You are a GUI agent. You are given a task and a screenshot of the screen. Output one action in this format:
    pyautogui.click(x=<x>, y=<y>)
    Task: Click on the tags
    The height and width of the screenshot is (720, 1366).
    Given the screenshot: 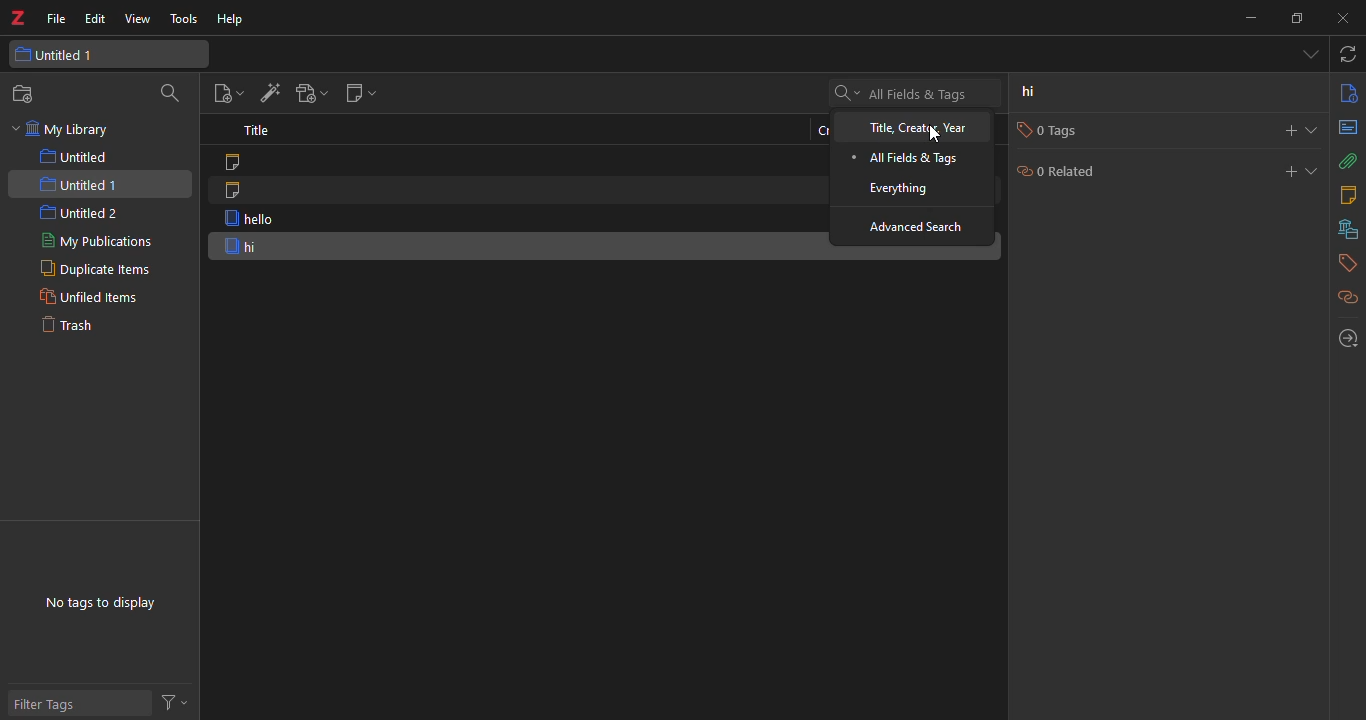 What is the action you would take?
    pyautogui.click(x=1344, y=264)
    